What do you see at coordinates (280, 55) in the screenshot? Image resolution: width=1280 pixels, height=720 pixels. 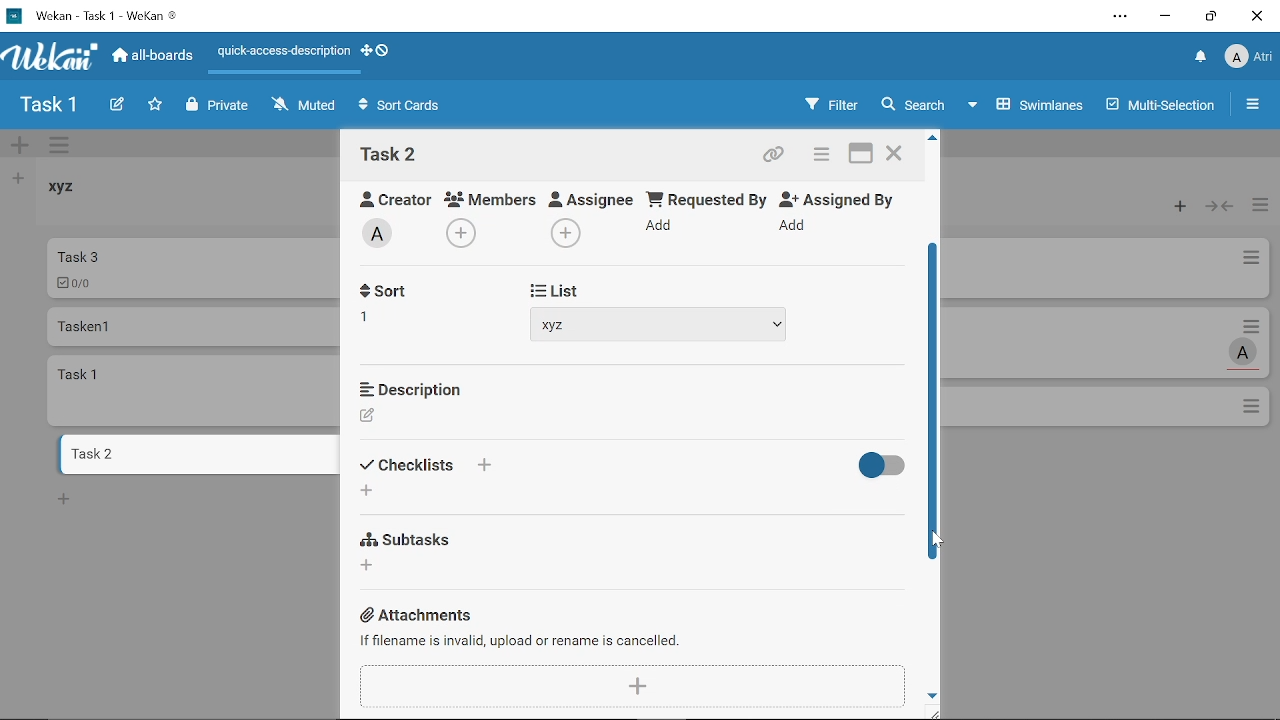 I see `Quick access description` at bounding box center [280, 55].